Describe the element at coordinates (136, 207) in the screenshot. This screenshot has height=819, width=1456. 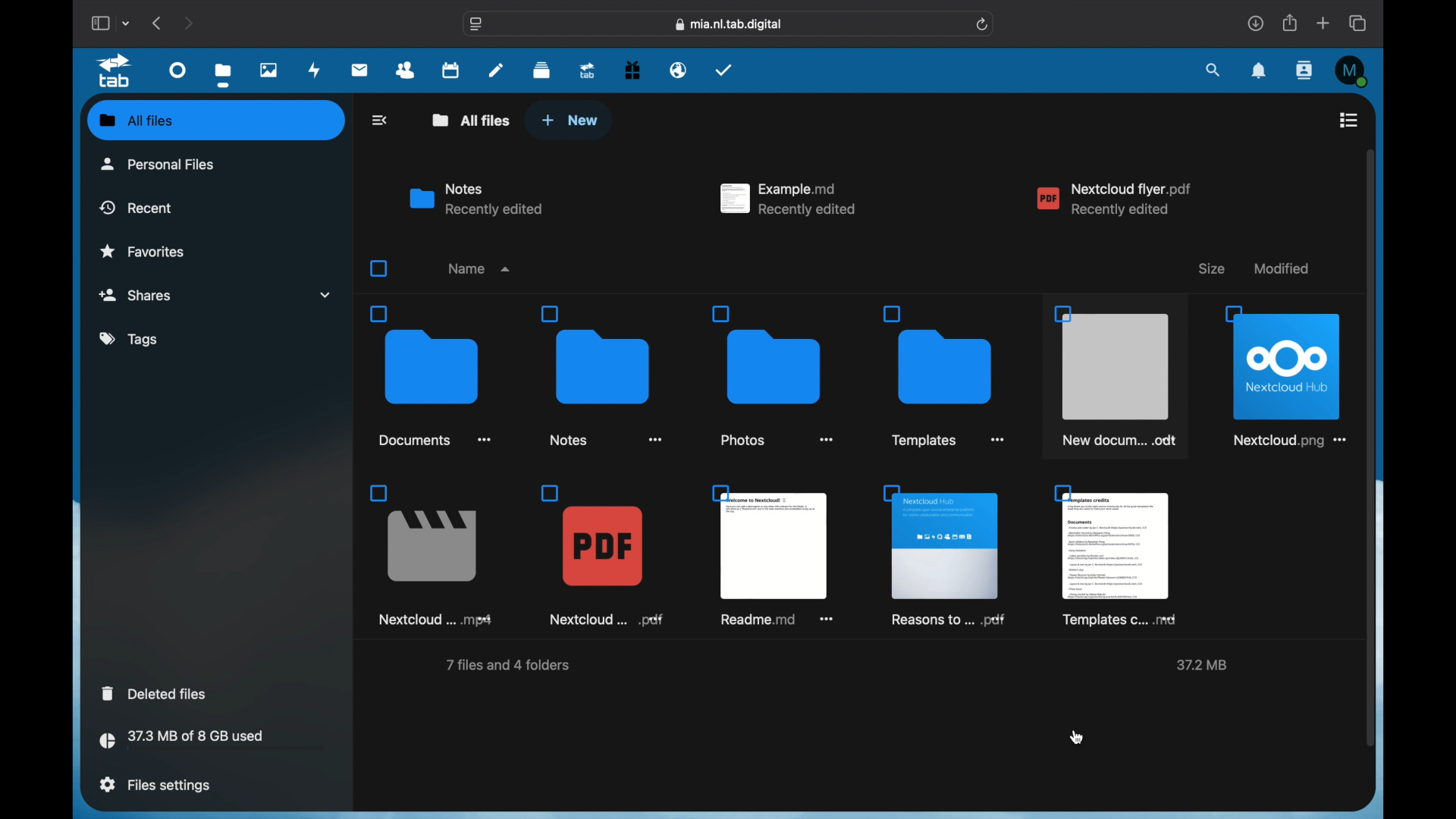
I see `recent` at that location.